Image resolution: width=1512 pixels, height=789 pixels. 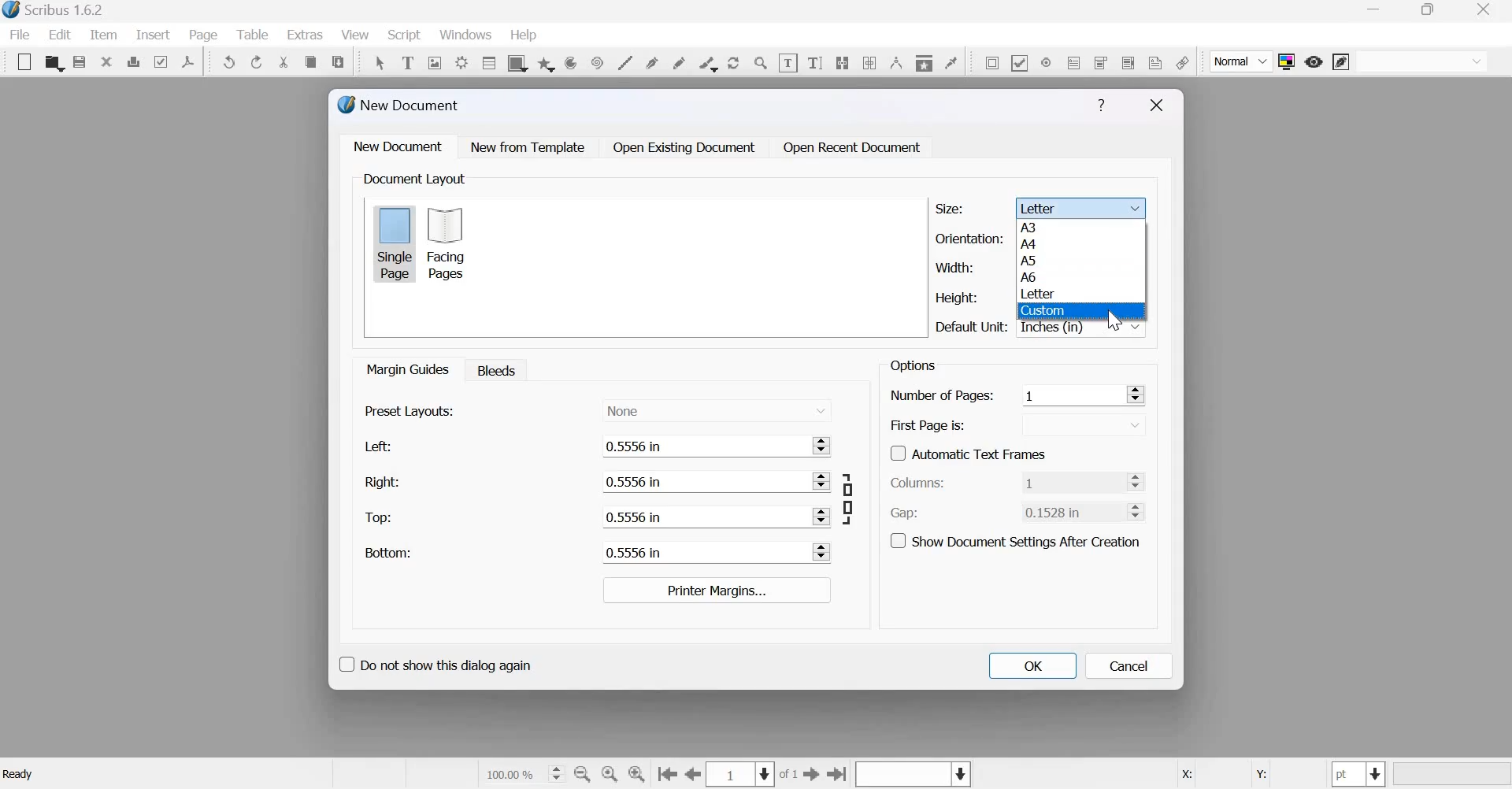 What do you see at coordinates (1029, 227) in the screenshot?
I see `A3` at bounding box center [1029, 227].